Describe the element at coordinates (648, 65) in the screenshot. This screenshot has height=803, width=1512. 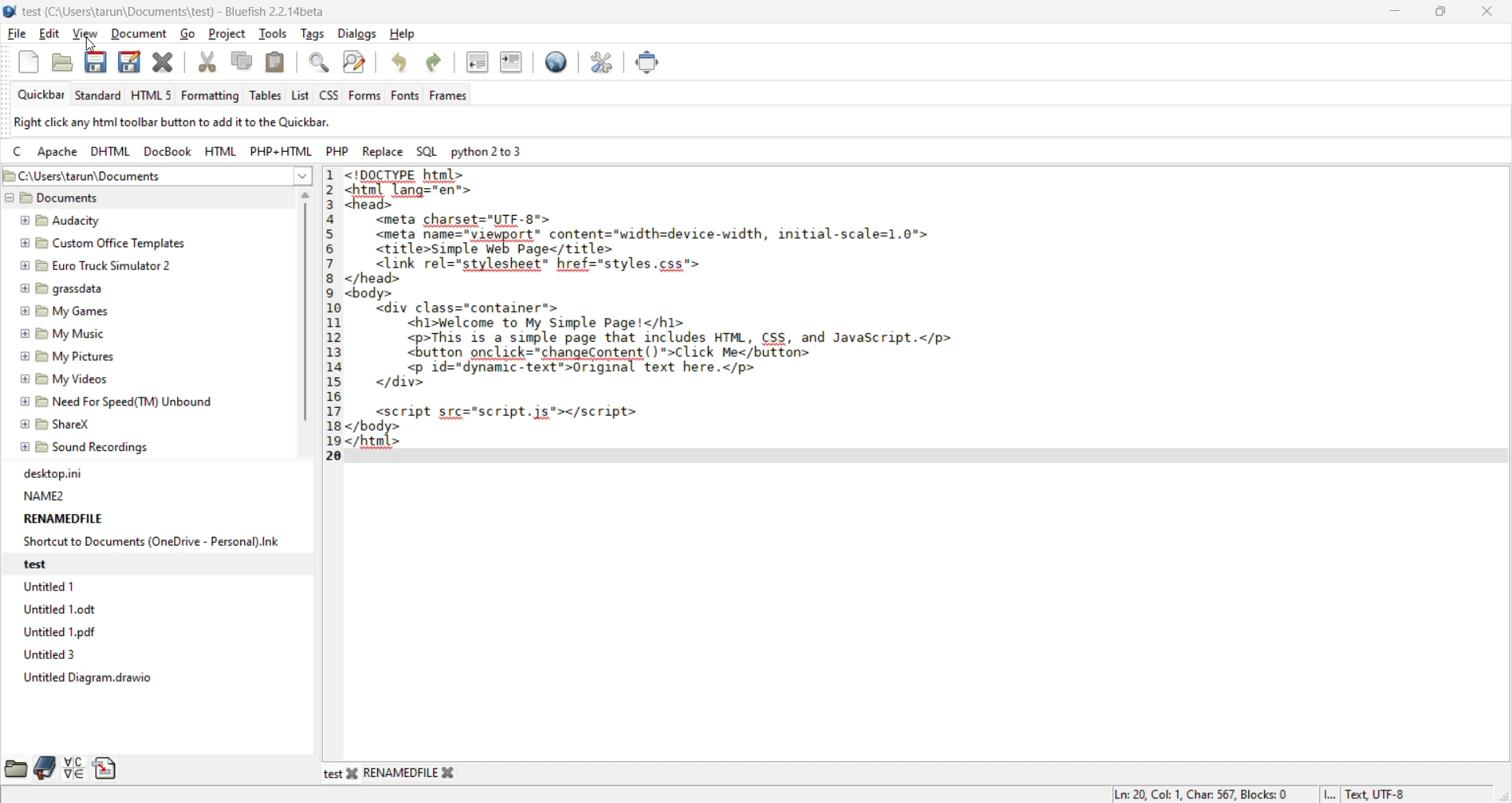
I see `full screen` at that location.